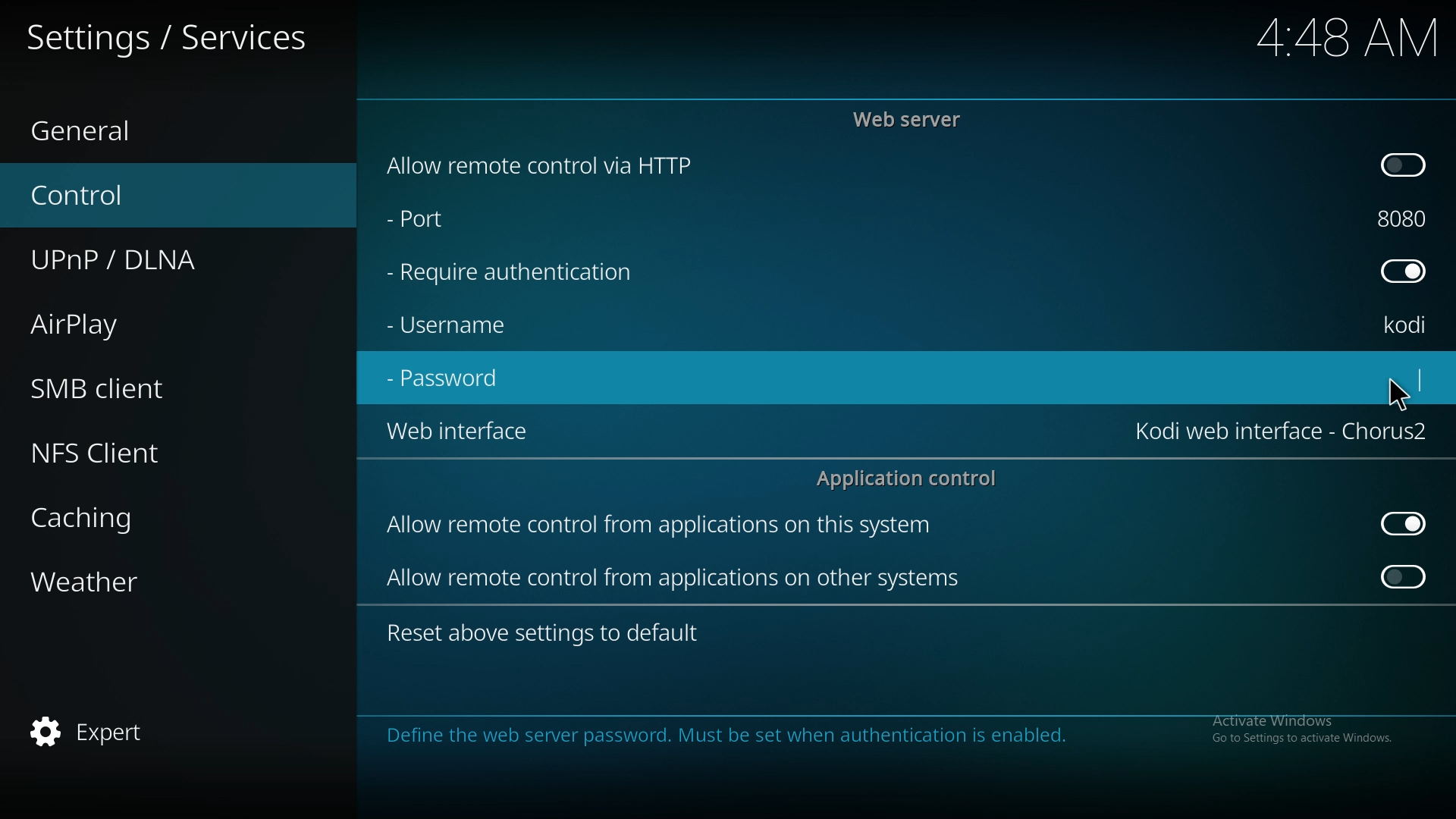  I want to click on general, so click(107, 124).